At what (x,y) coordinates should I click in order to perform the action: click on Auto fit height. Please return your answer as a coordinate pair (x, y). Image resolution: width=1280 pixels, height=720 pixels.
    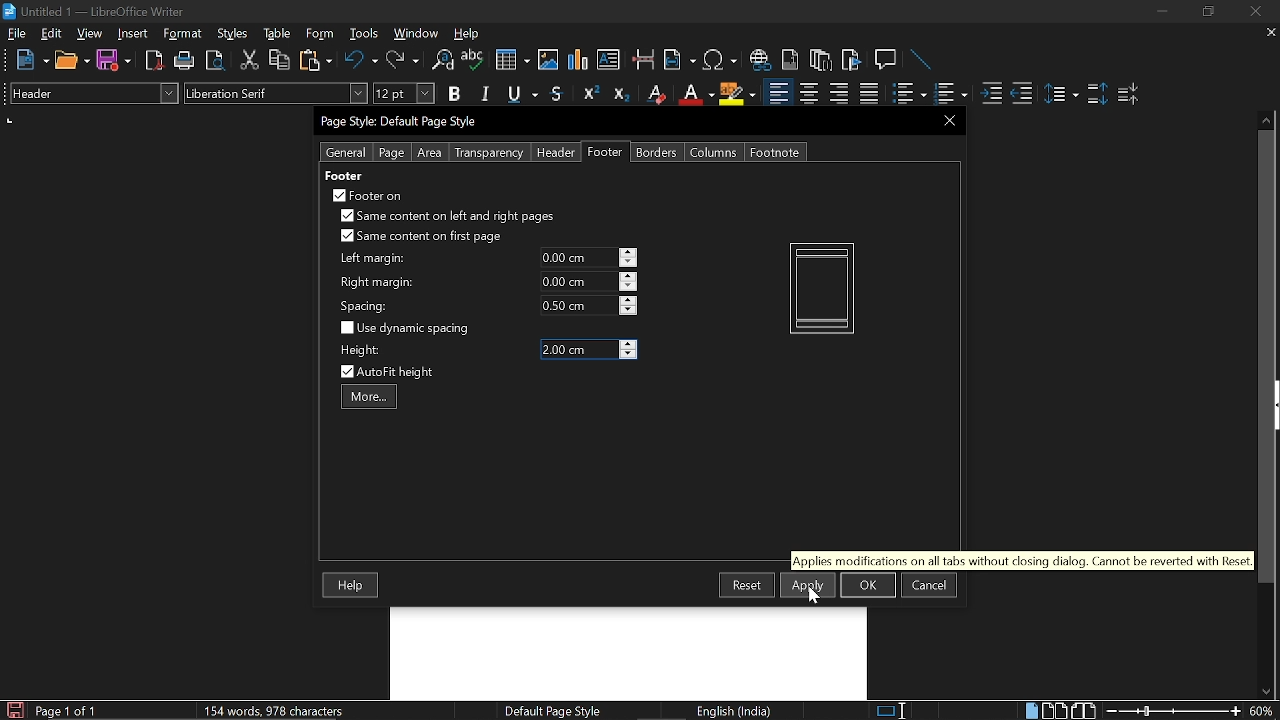
    Looking at the image, I should click on (400, 372).